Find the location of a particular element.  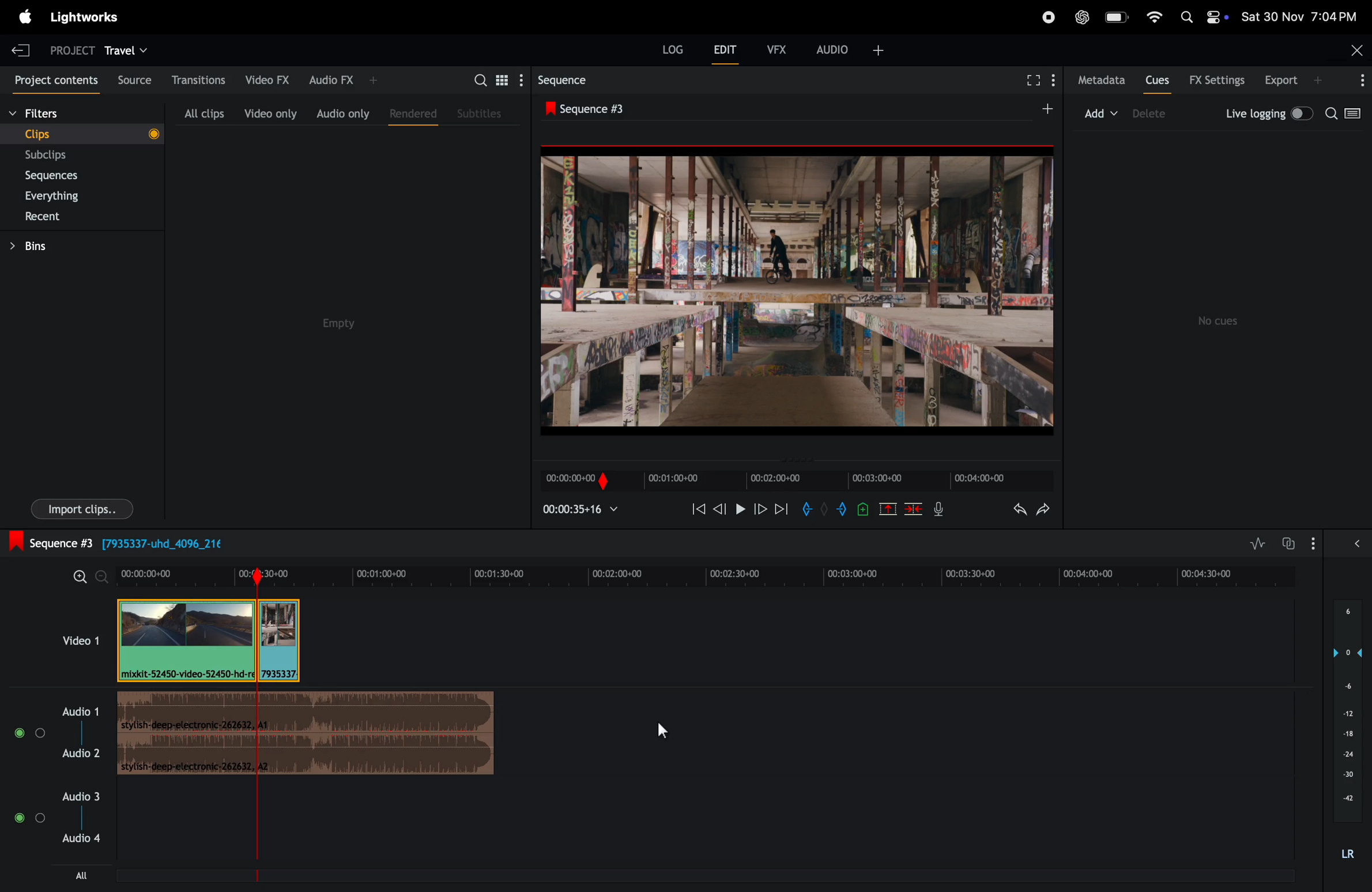

toggle audio track sync is located at coordinates (1286, 543).